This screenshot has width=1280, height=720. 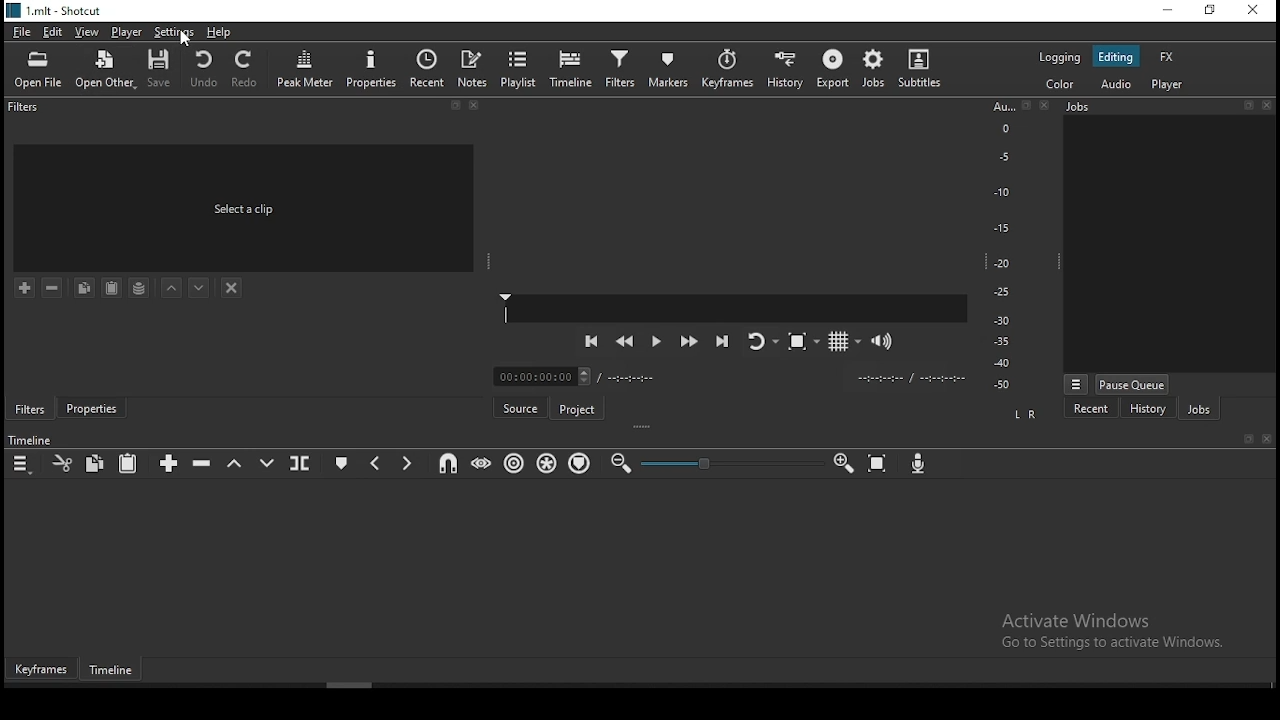 What do you see at coordinates (479, 465) in the screenshot?
I see `scrub while dragging` at bounding box center [479, 465].